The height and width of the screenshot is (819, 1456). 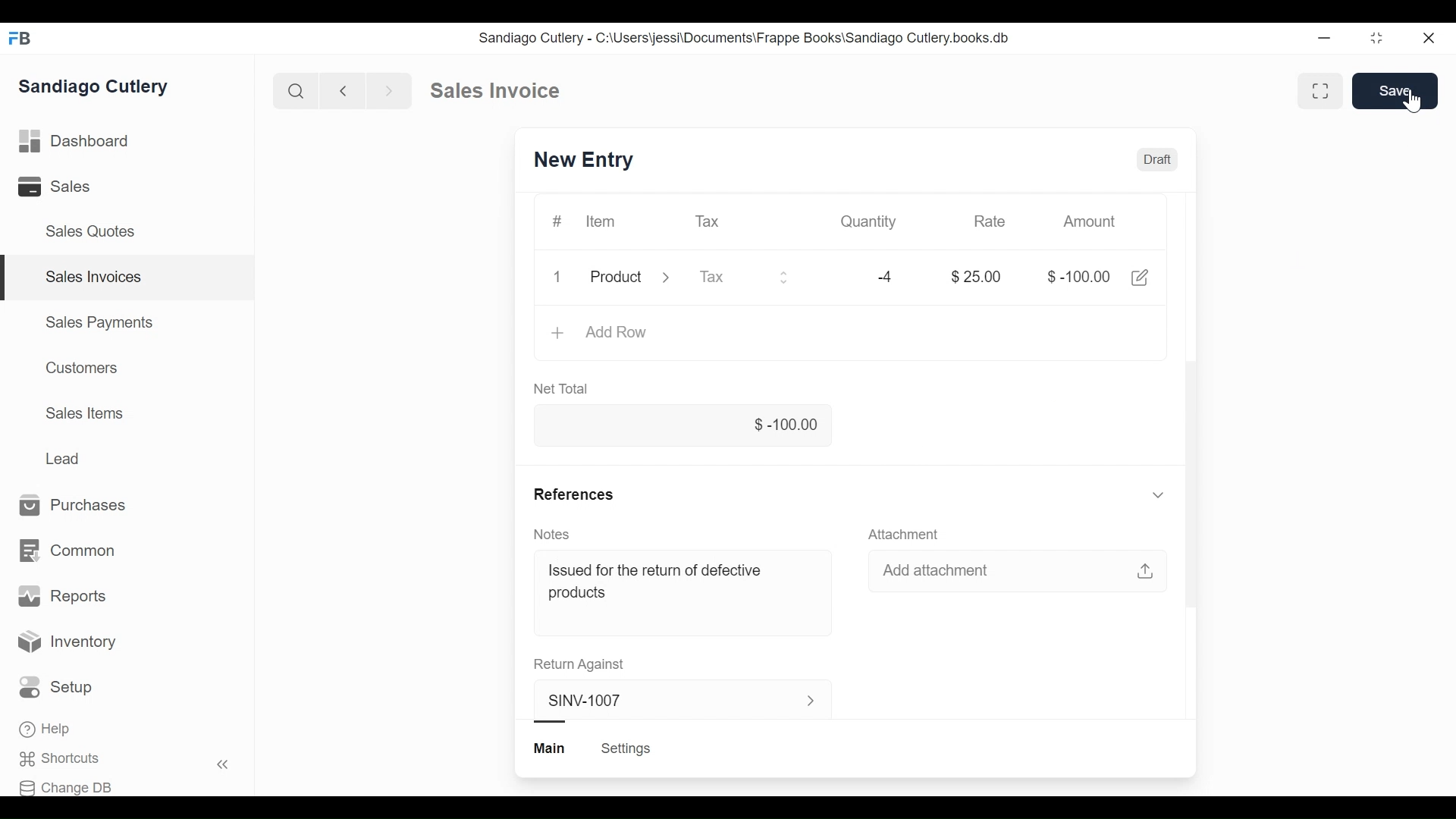 I want to click on Net Total, so click(x=564, y=388).